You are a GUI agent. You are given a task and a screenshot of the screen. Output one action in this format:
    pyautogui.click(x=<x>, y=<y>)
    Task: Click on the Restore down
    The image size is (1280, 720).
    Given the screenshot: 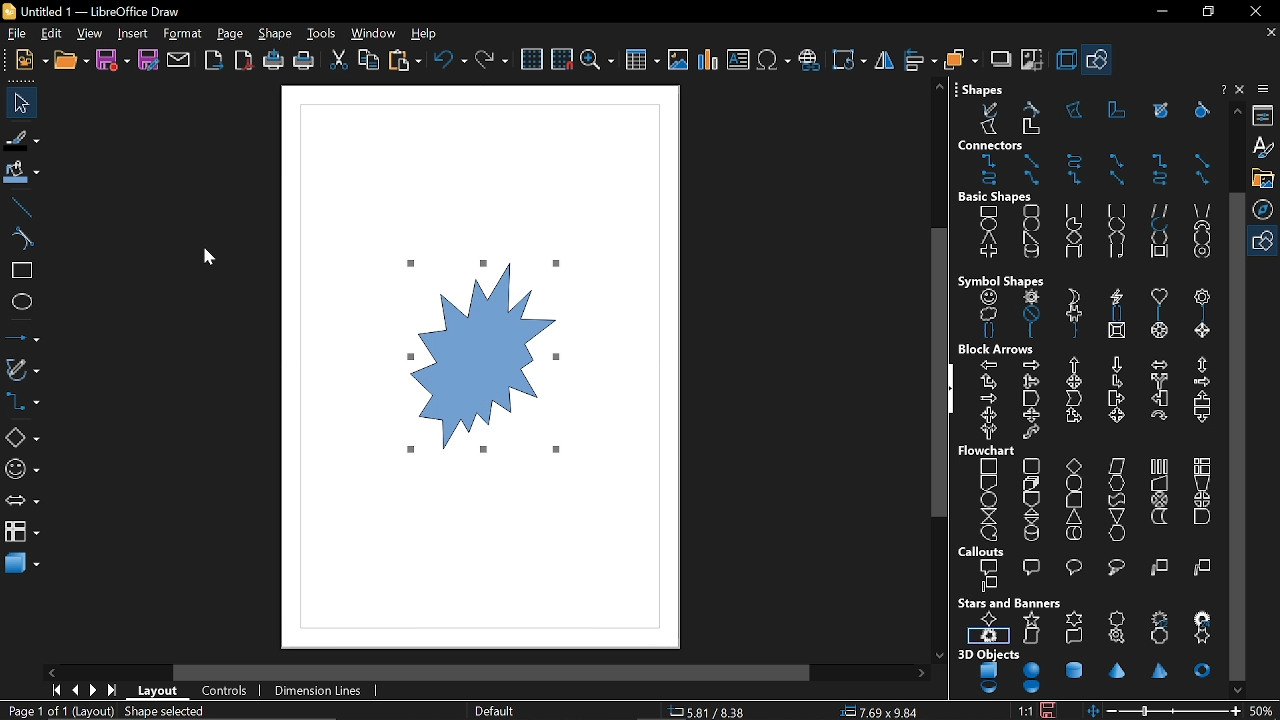 What is the action you would take?
    pyautogui.click(x=1206, y=13)
    